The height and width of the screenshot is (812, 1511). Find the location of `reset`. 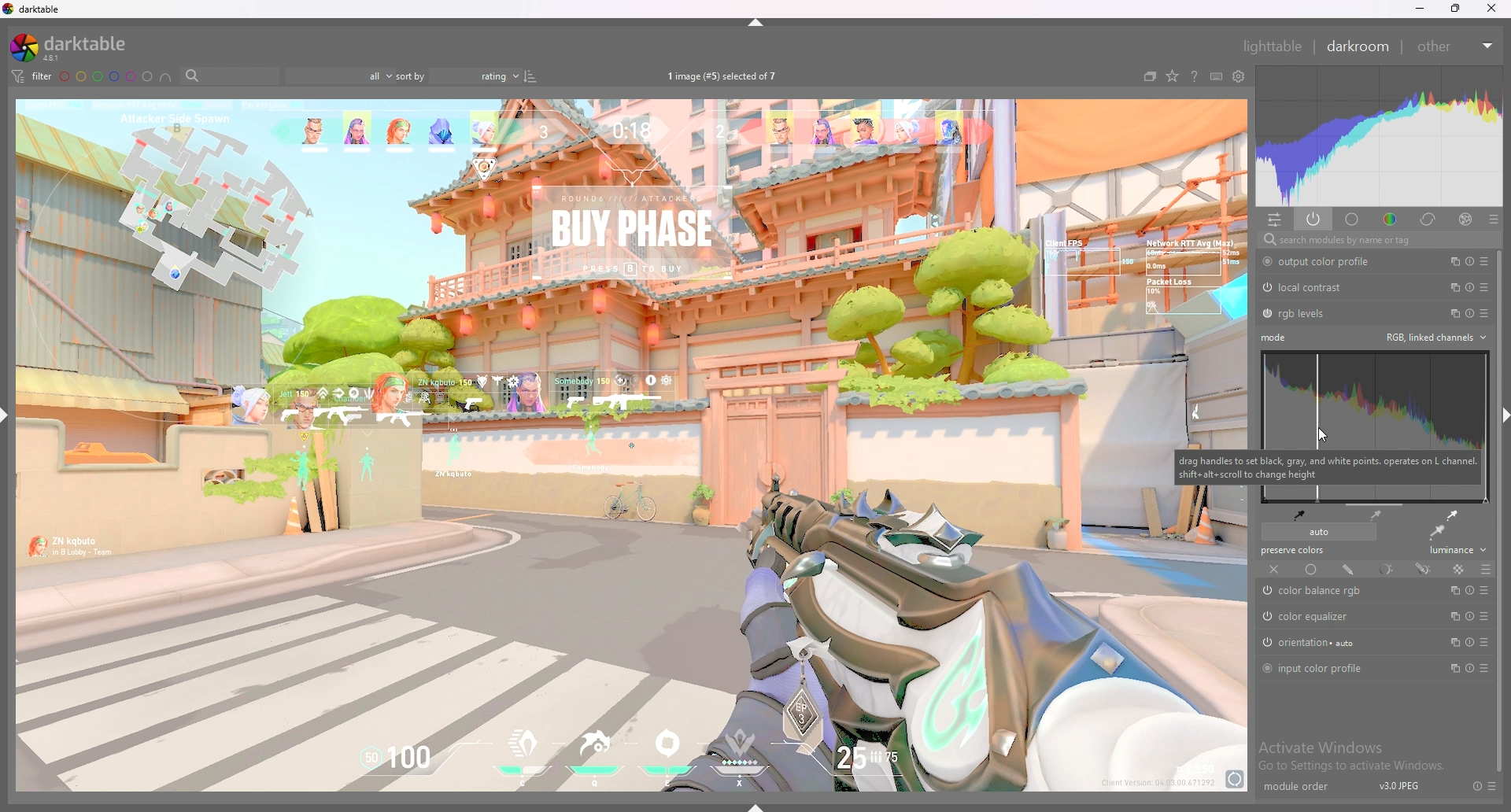

reset is located at coordinates (1469, 642).